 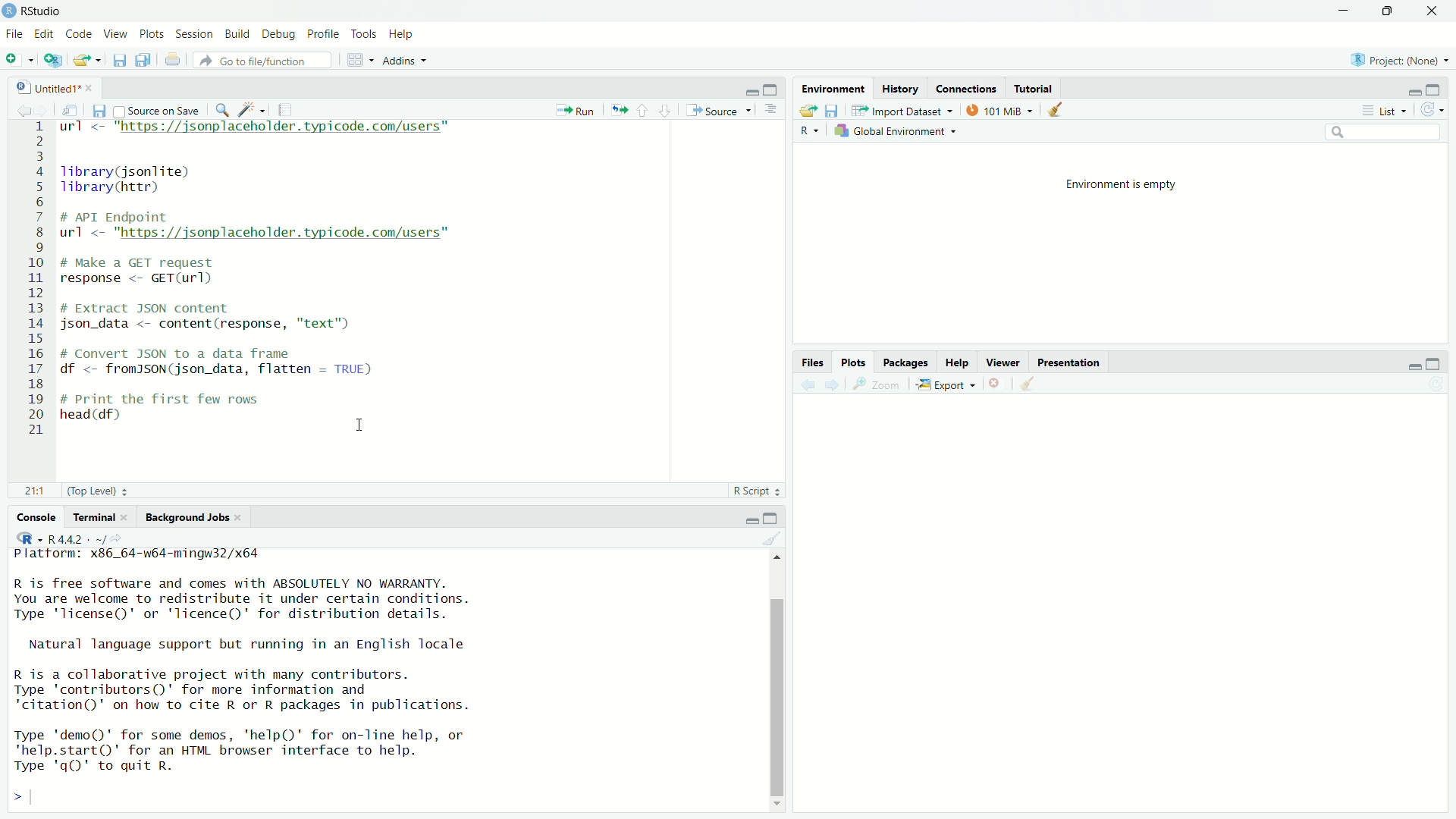 I want to click on Minimize, so click(x=749, y=90).